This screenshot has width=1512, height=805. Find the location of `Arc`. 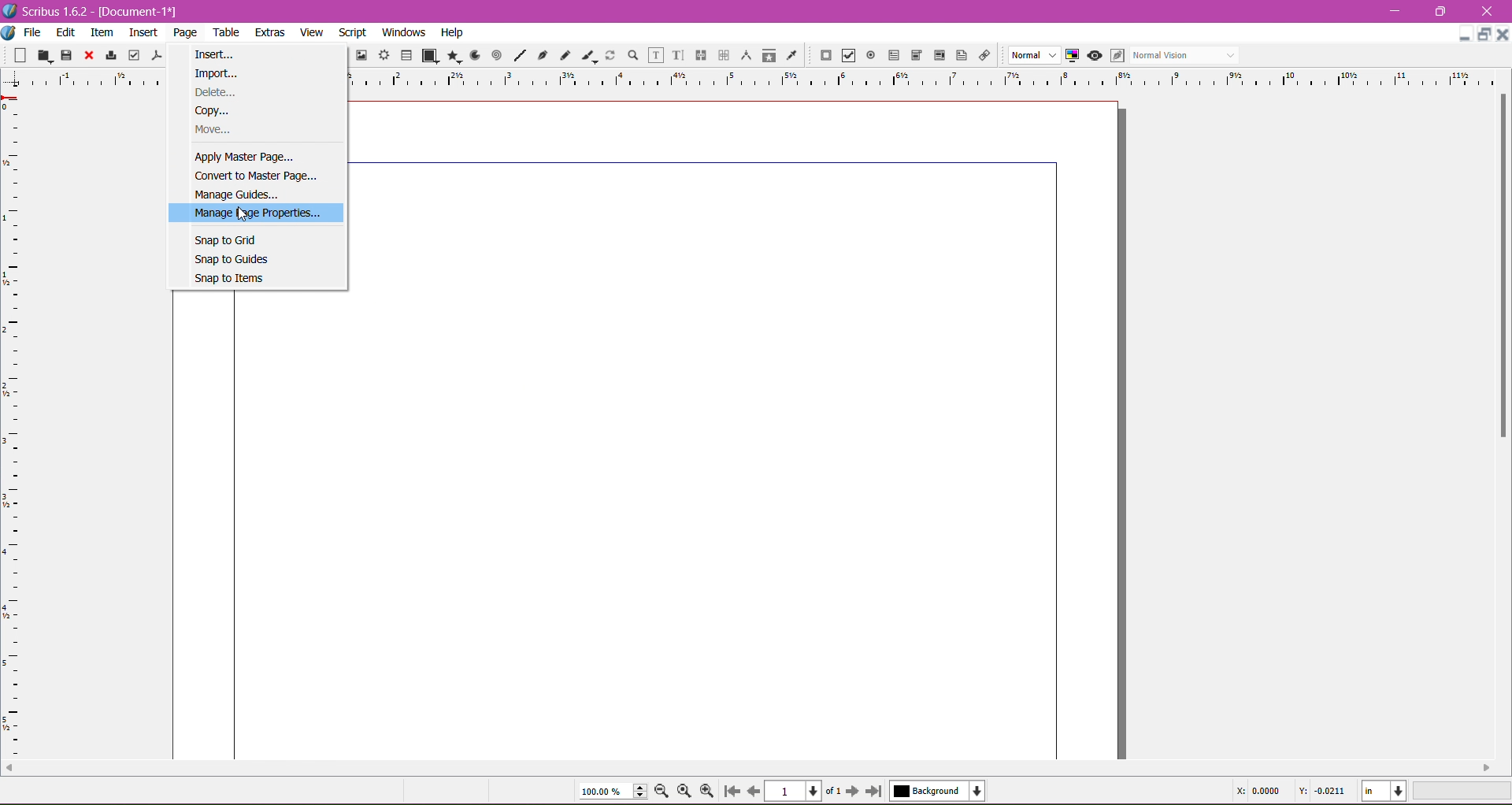

Arc is located at coordinates (474, 55).